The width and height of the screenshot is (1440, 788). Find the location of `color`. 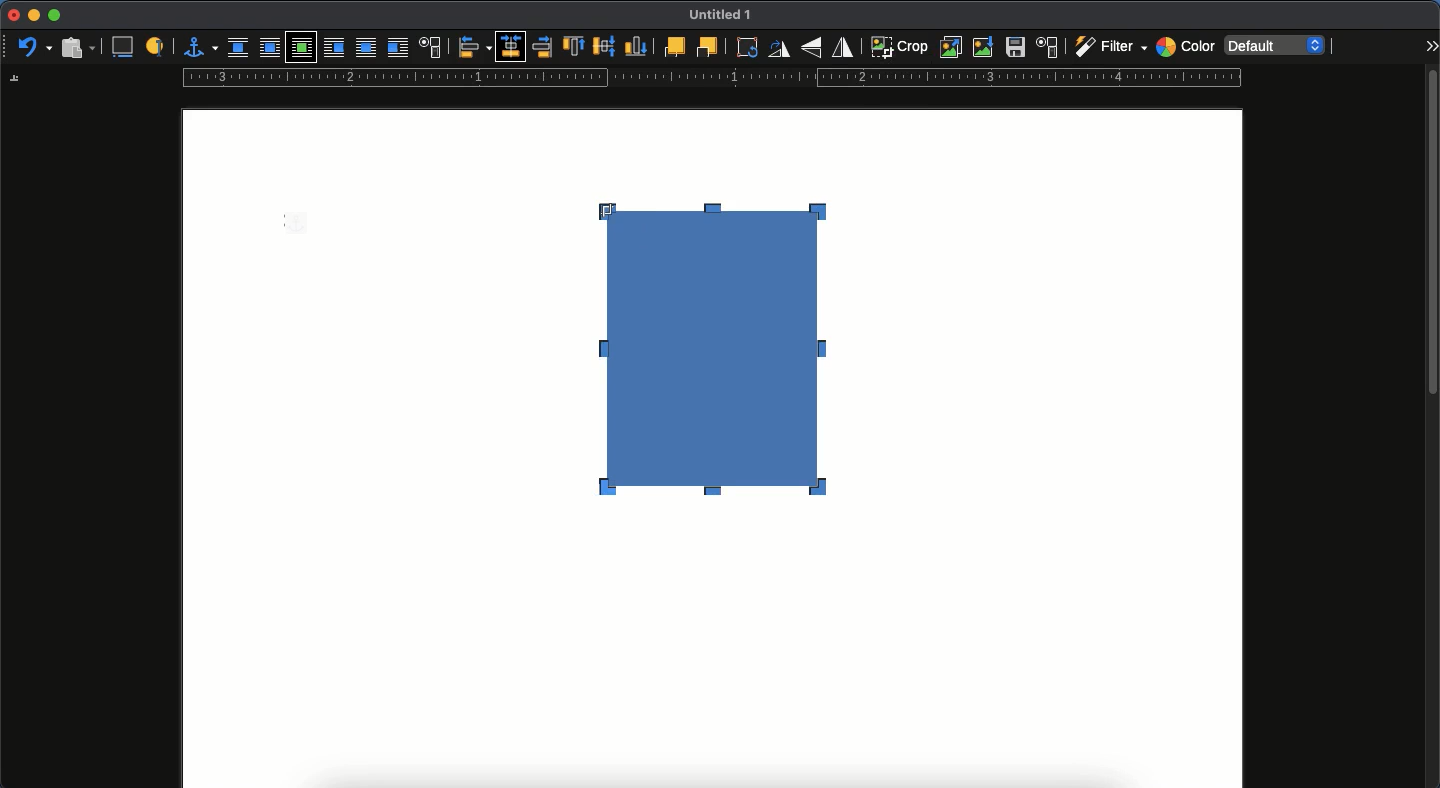

color is located at coordinates (1185, 49).